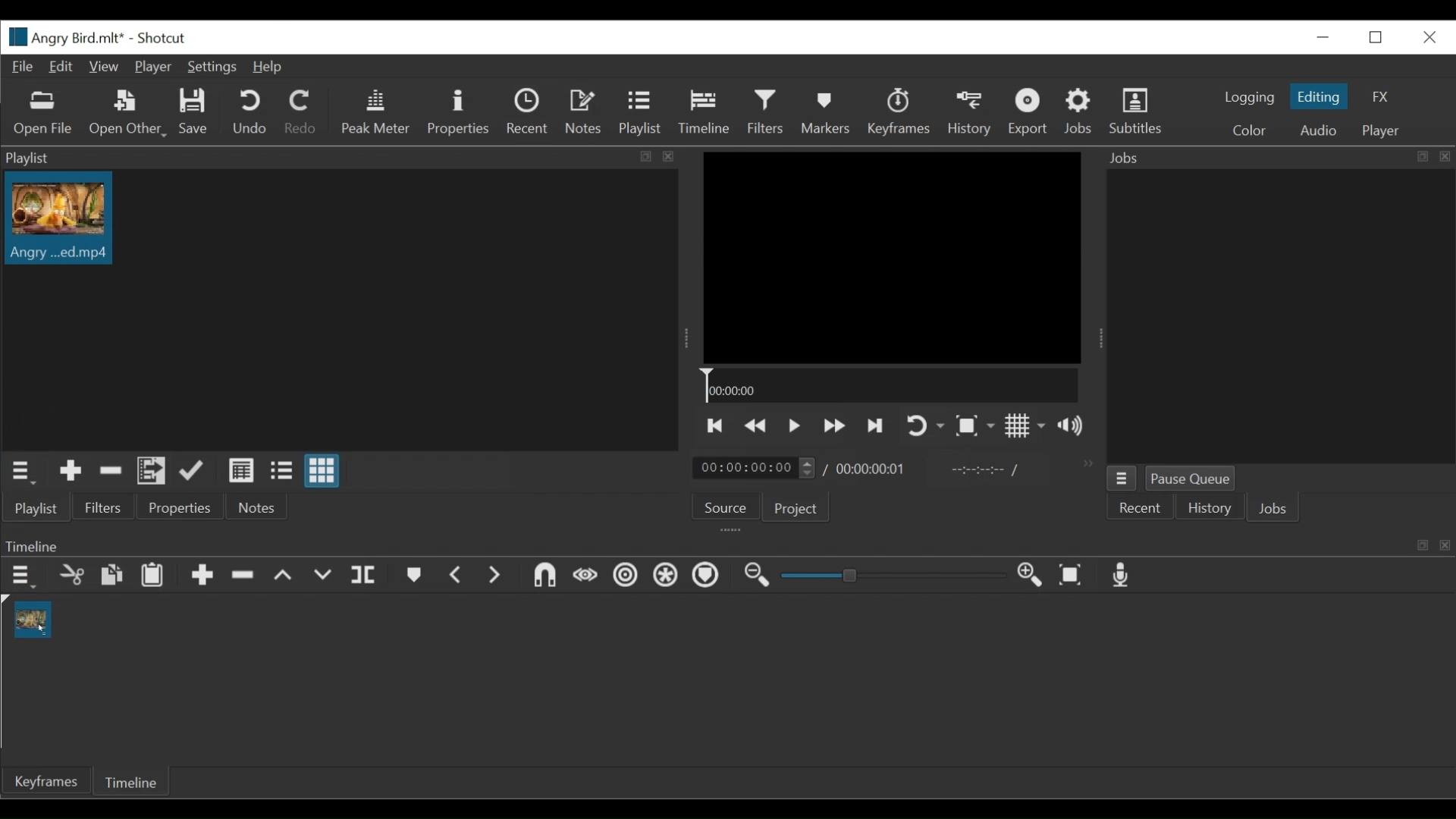  What do you see at coordinates (1028, 111) in the screenshot?
I see `Export` at bounding box center [1028, 111].